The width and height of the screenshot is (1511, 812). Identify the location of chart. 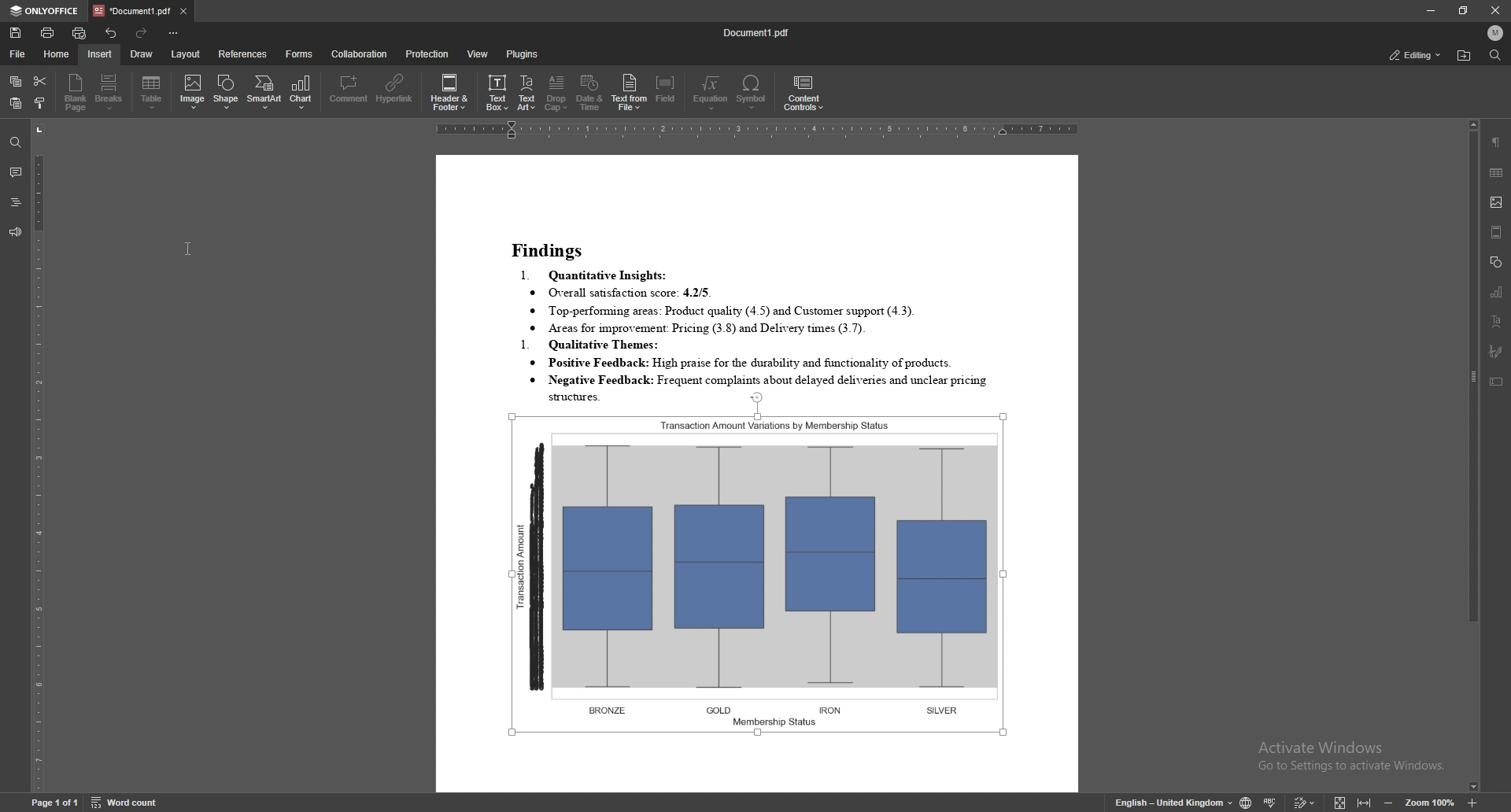
(1497, 291).